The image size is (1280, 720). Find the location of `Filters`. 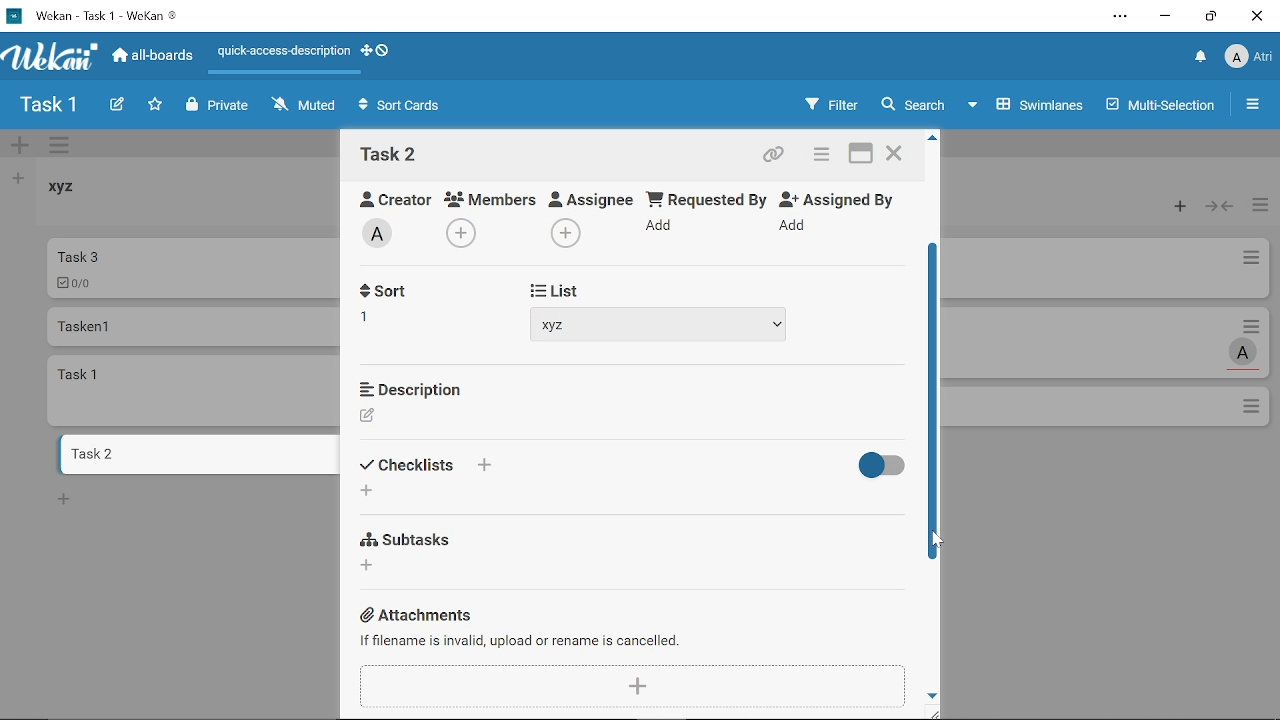

Filters is located at coordinates (827, 105).